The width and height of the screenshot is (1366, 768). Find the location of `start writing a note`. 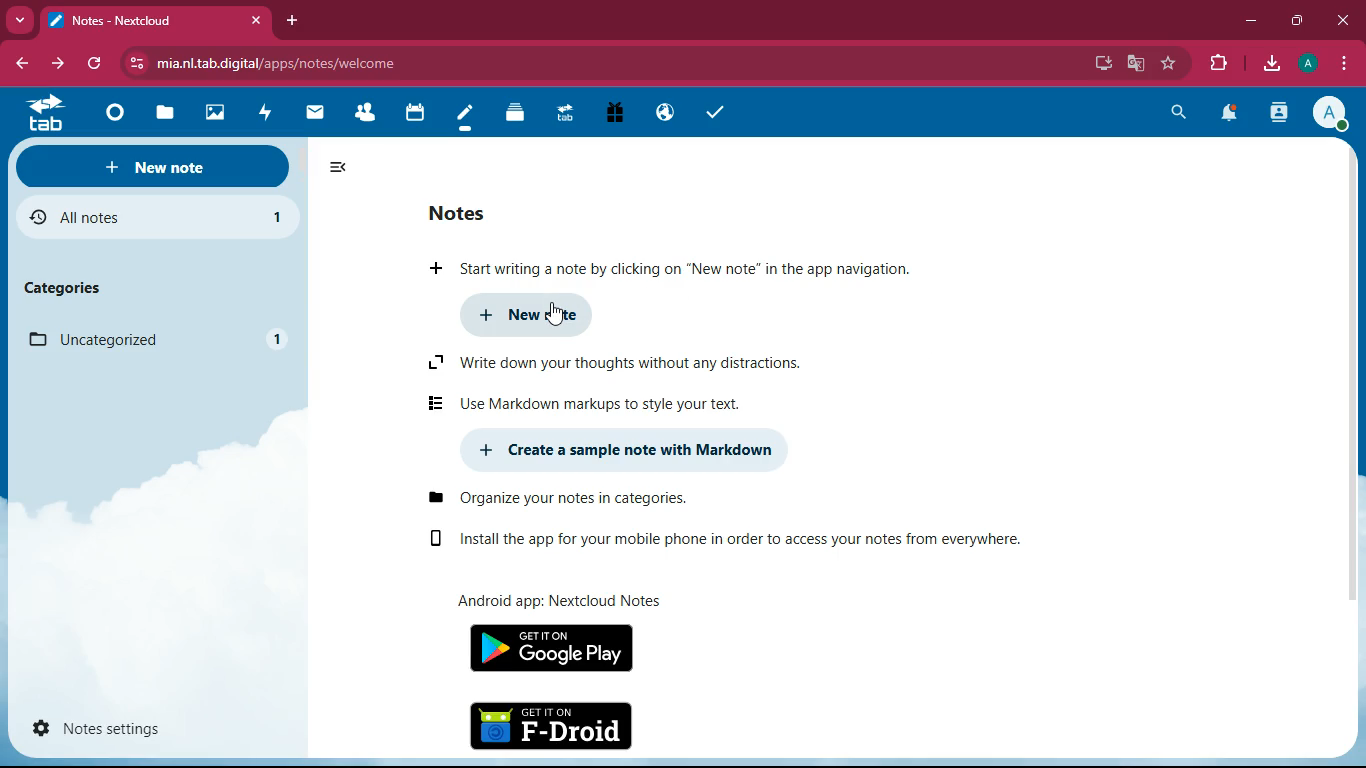

start writing a note is located at coordinates (665, 266).